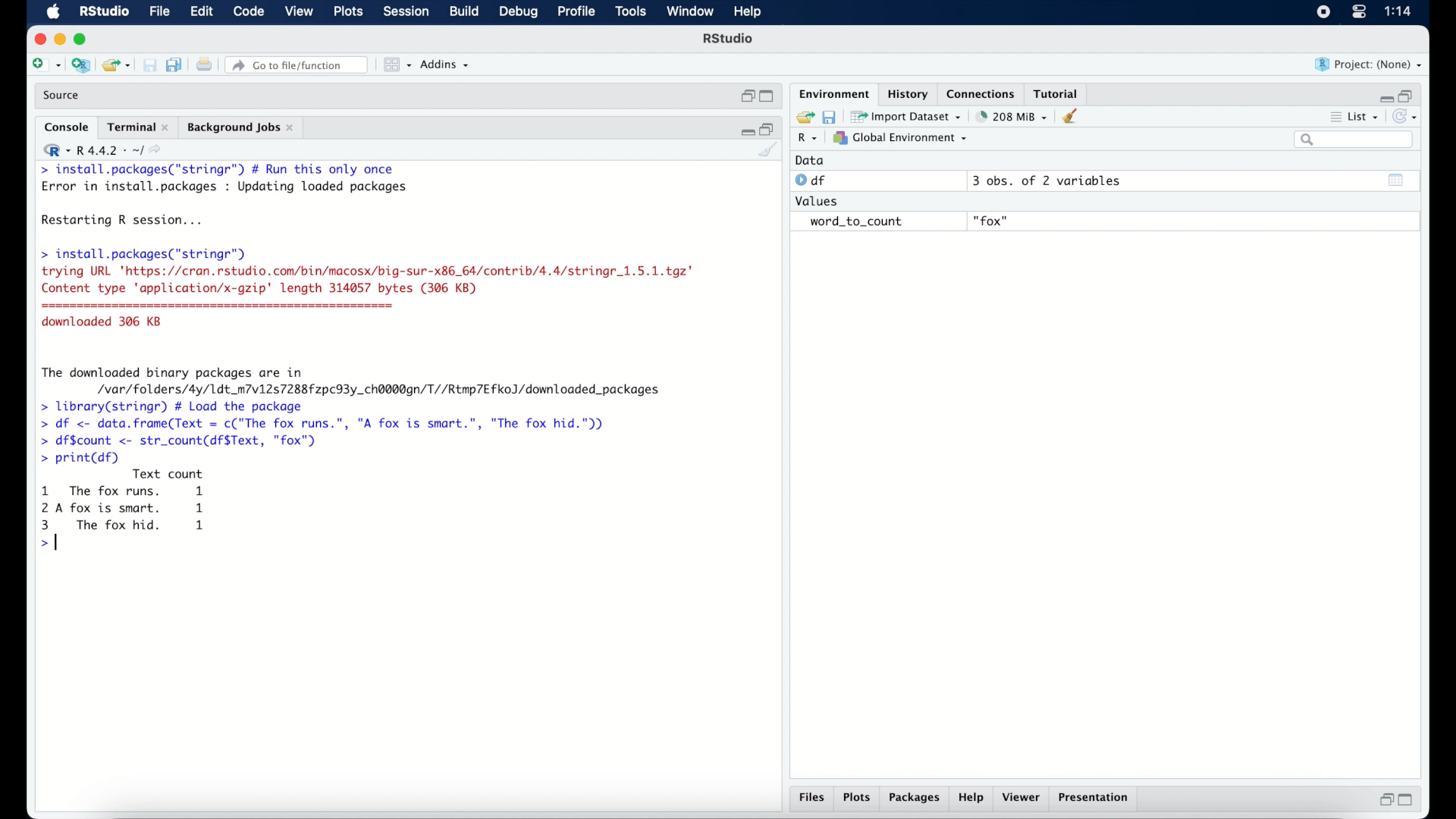 The height and width of the screenshot is (819, 1456). Describe the element at coordinates (1013, 117) in the screenshot. I see `203 MB` at that location.